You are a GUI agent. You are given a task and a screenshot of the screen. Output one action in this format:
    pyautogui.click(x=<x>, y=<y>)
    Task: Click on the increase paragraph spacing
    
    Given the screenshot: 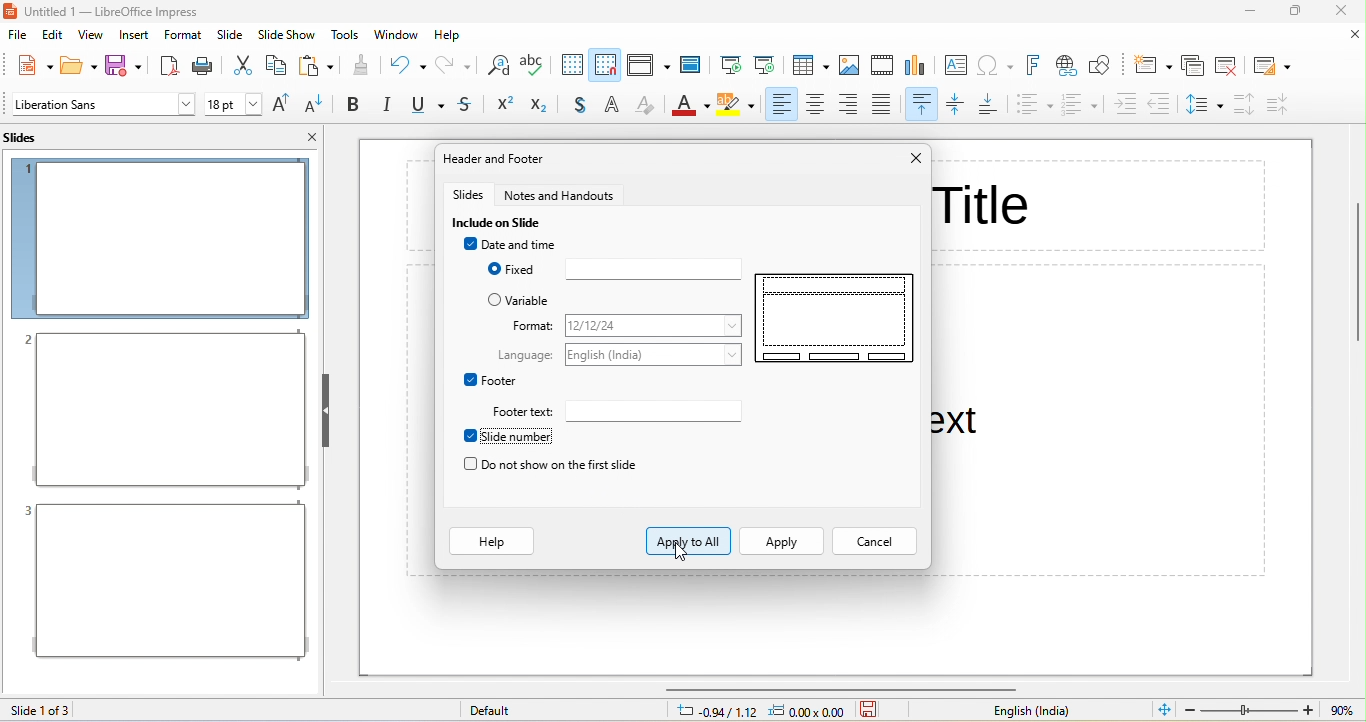 What is the action you would take?
    pyautogui.click(x=1241, y=105)
    